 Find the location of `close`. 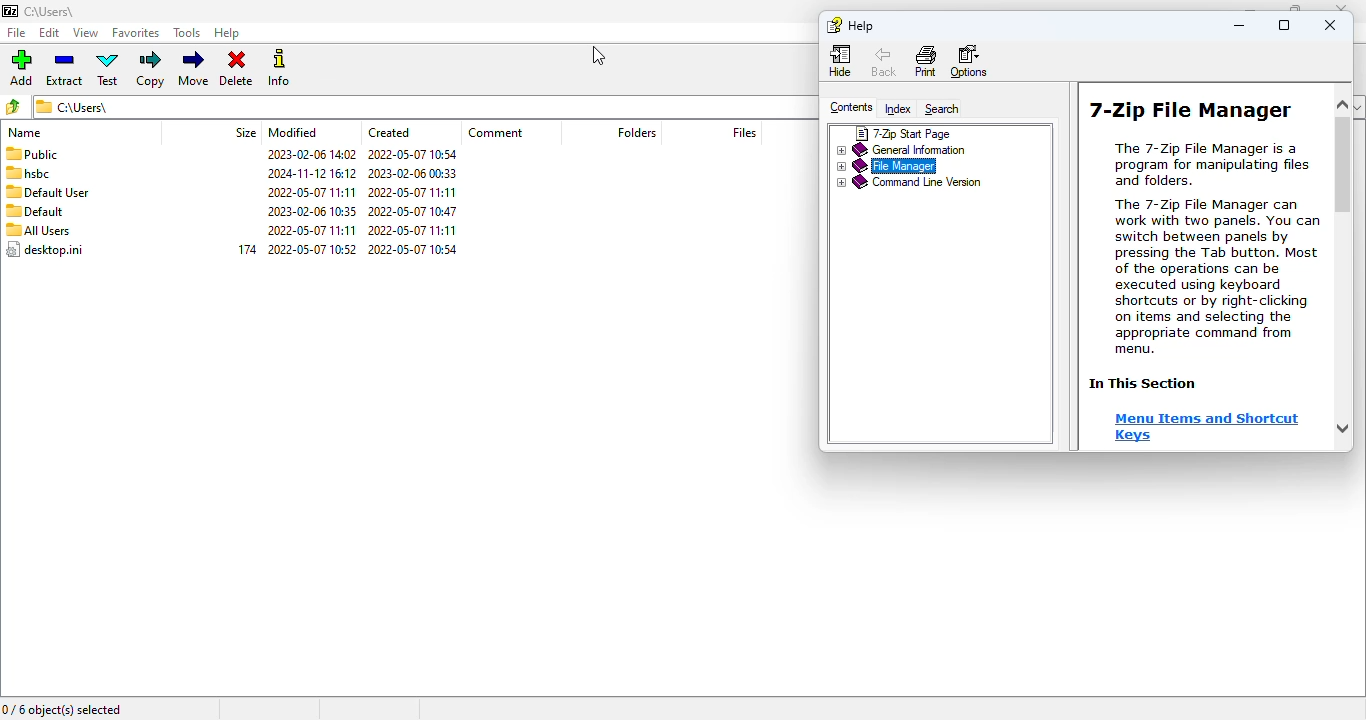

close is located at coordinates (1341, 10).